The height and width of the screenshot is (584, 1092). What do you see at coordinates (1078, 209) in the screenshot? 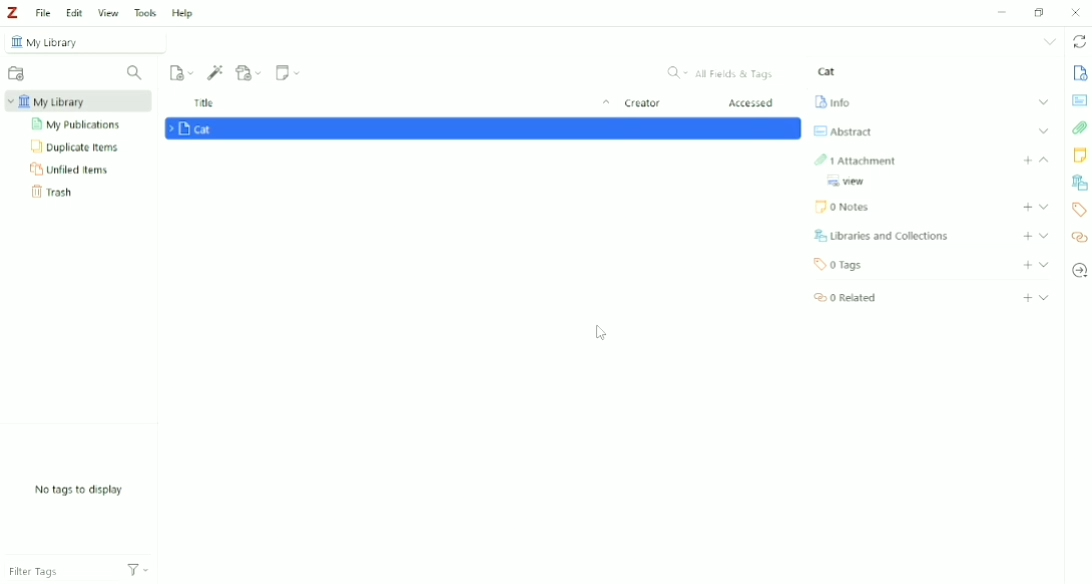
I see `Tags` at bounding box center [1078, 209].